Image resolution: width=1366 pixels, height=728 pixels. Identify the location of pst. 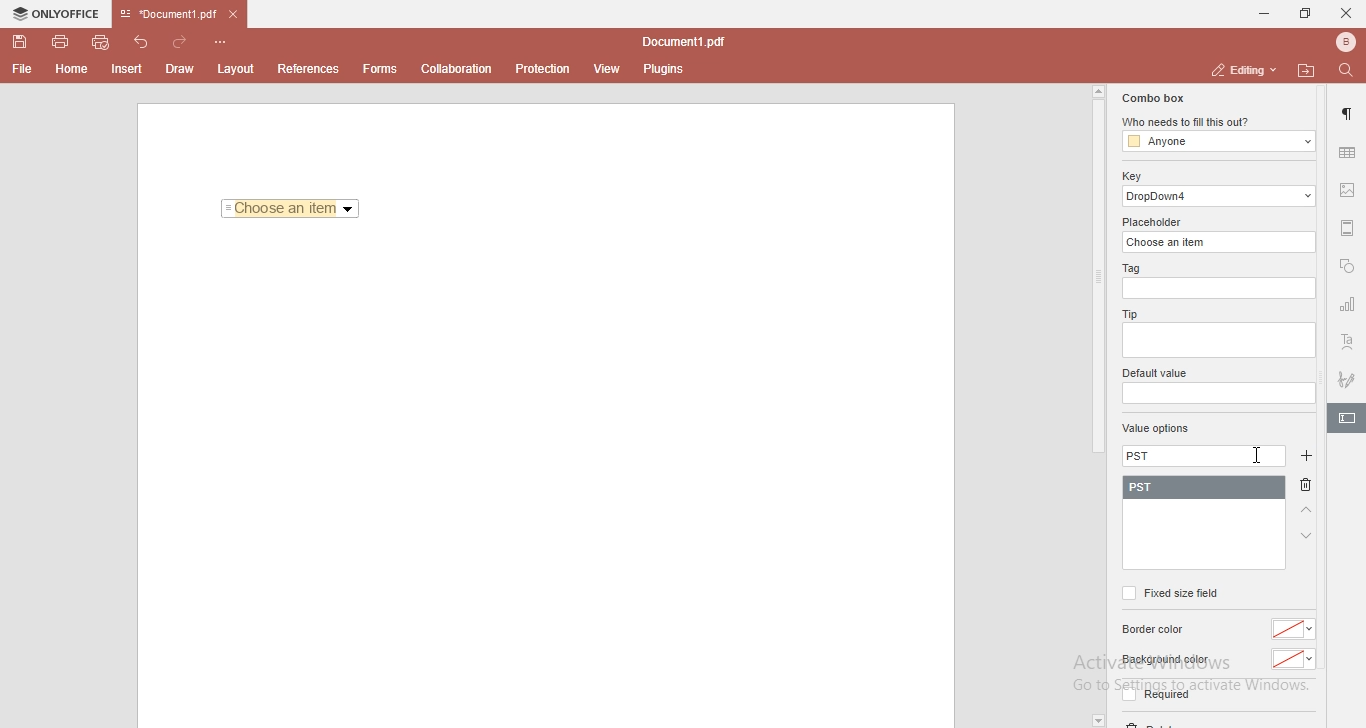
(1203, 457).